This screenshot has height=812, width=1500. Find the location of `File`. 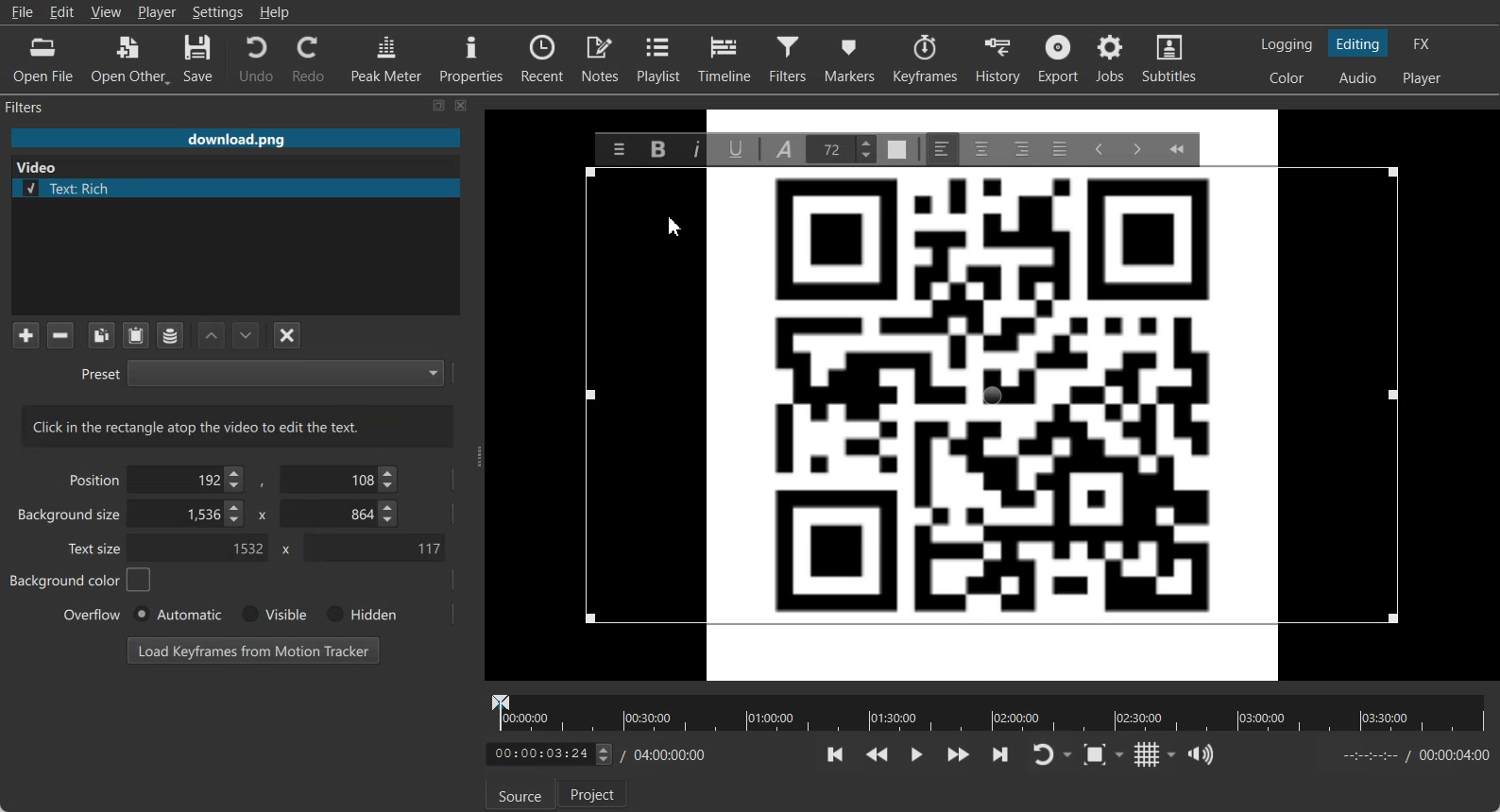

File is located at coordinates (22, 12).